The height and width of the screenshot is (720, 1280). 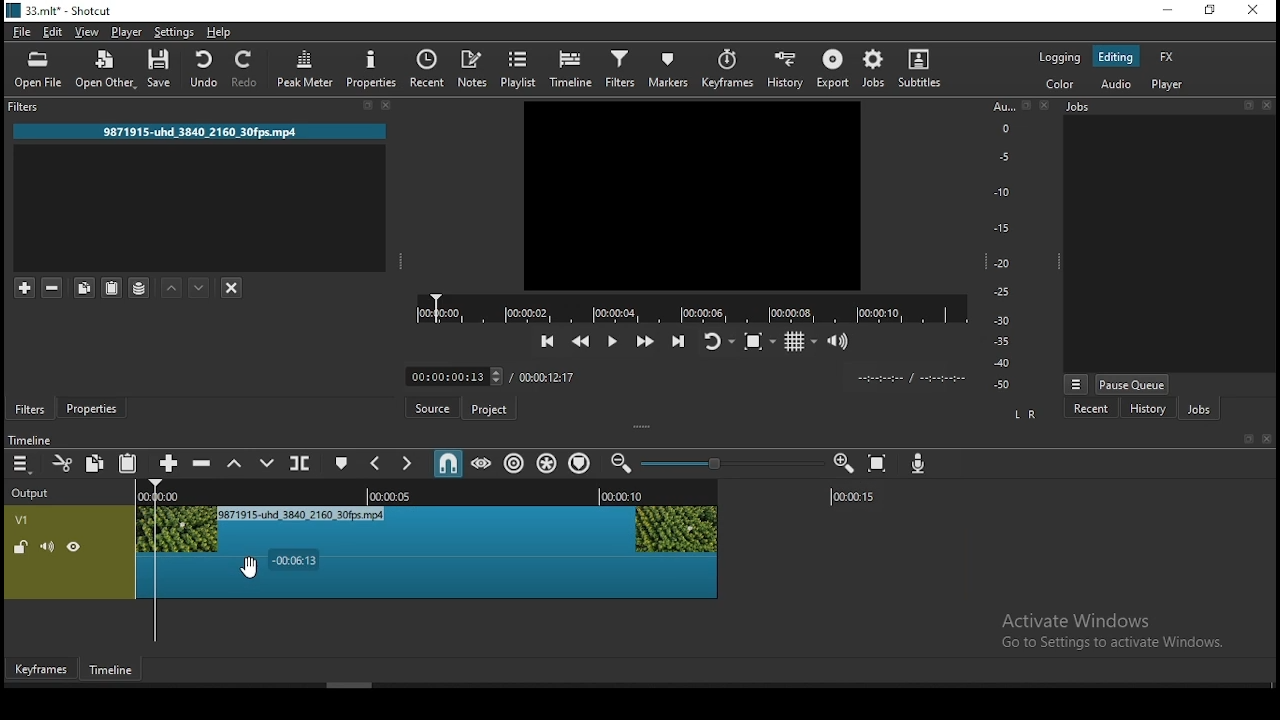 I want to click on show video volume control, so click(x=845, y=339).